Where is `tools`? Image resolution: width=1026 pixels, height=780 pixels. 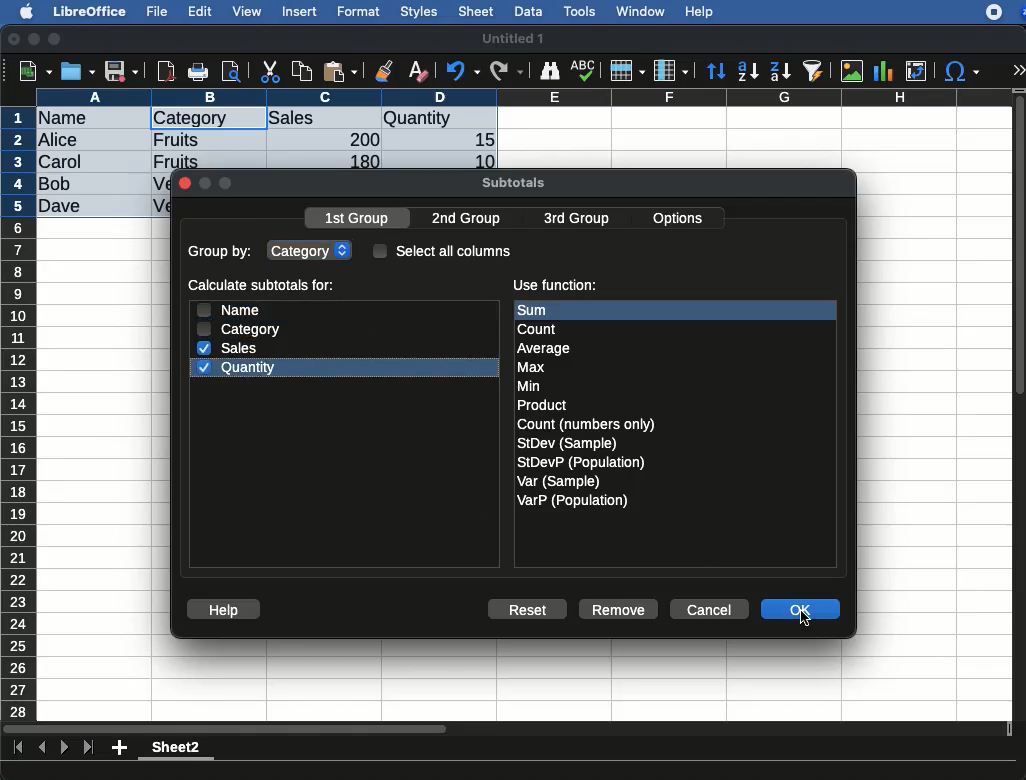
tools is located at coordinates (581, 11).